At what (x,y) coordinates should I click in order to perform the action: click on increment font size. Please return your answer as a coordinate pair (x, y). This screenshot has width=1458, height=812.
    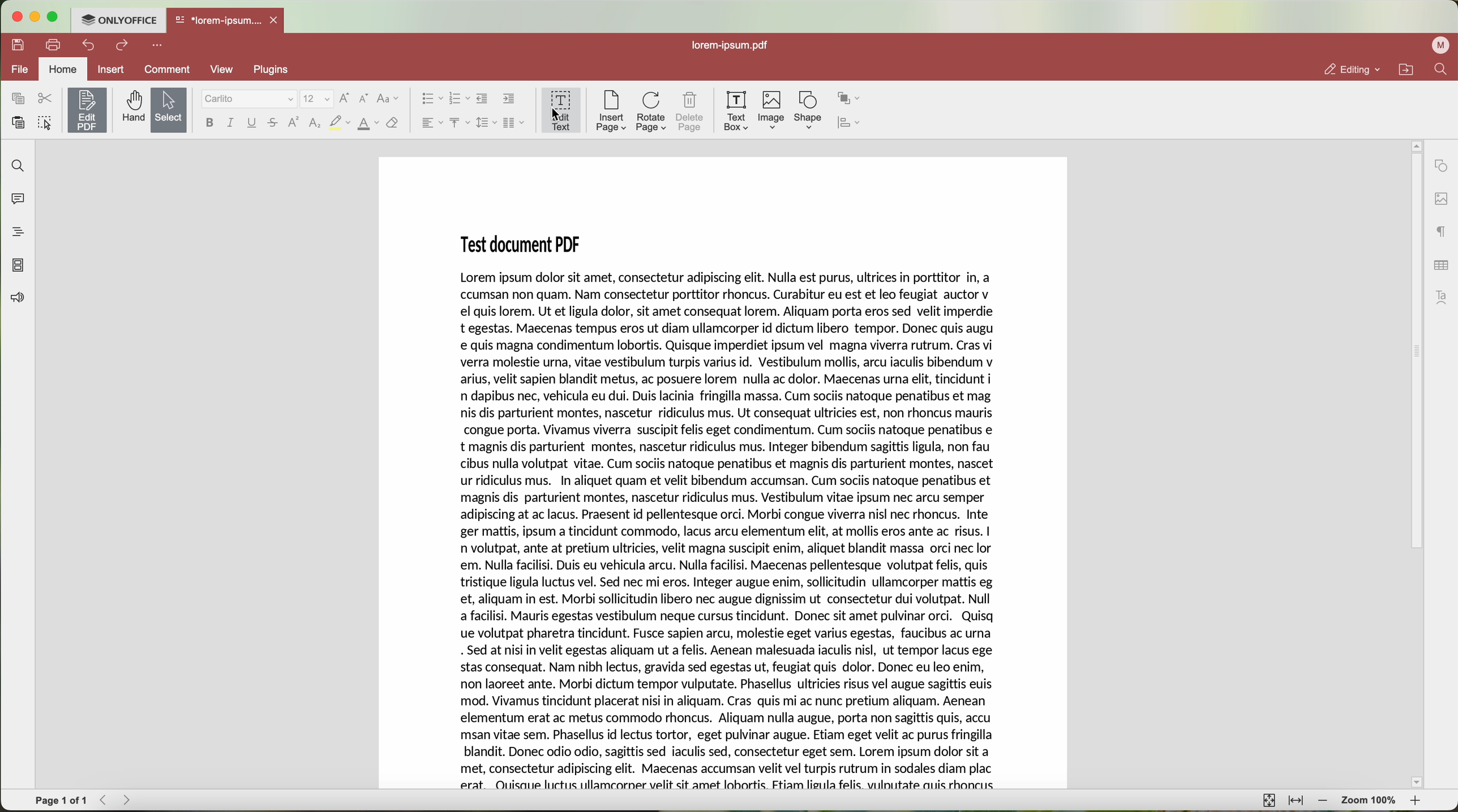
    Looking at the image, I should click on (345, 98).